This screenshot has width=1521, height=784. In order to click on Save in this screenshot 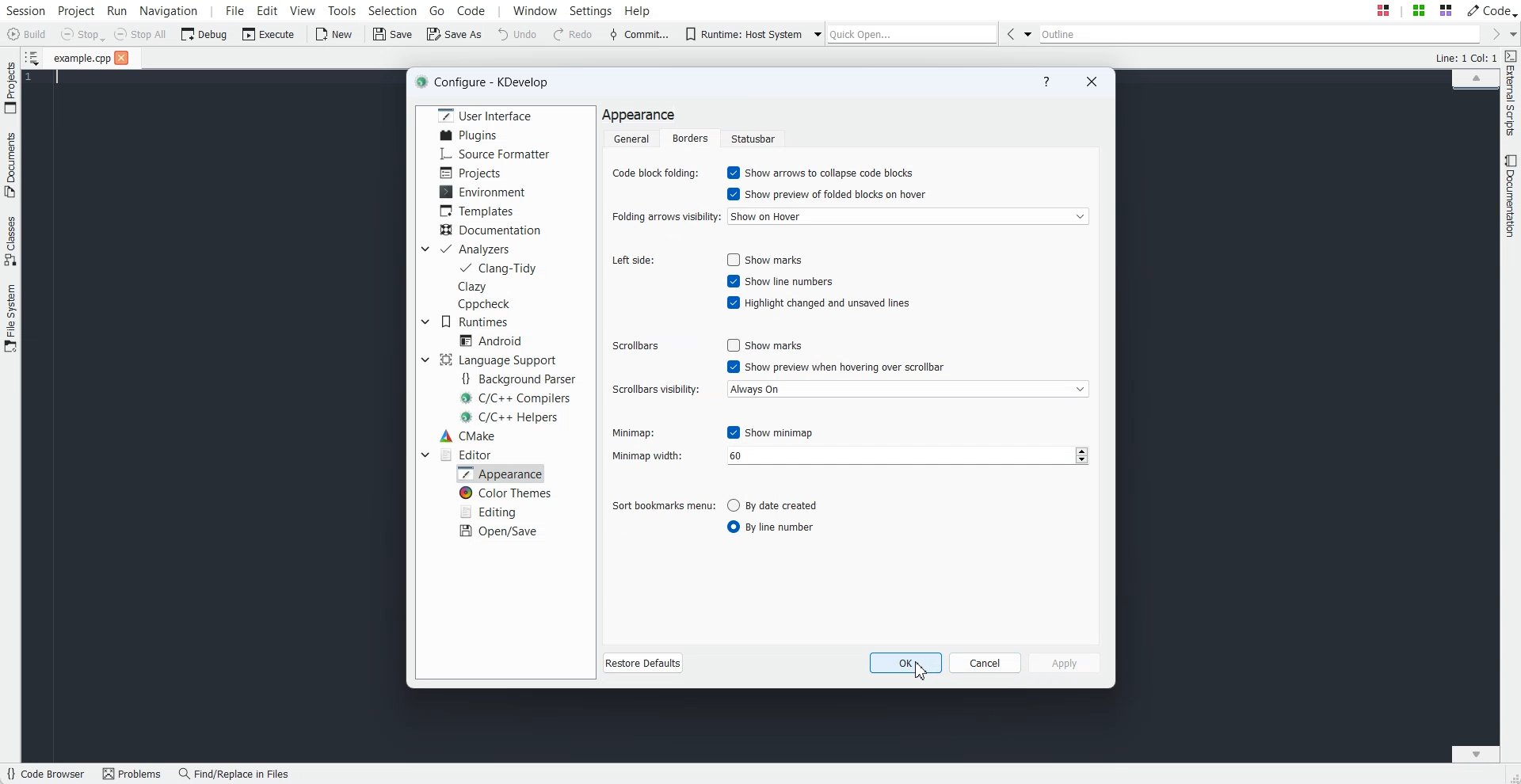, I will do `click(391, 33)`.